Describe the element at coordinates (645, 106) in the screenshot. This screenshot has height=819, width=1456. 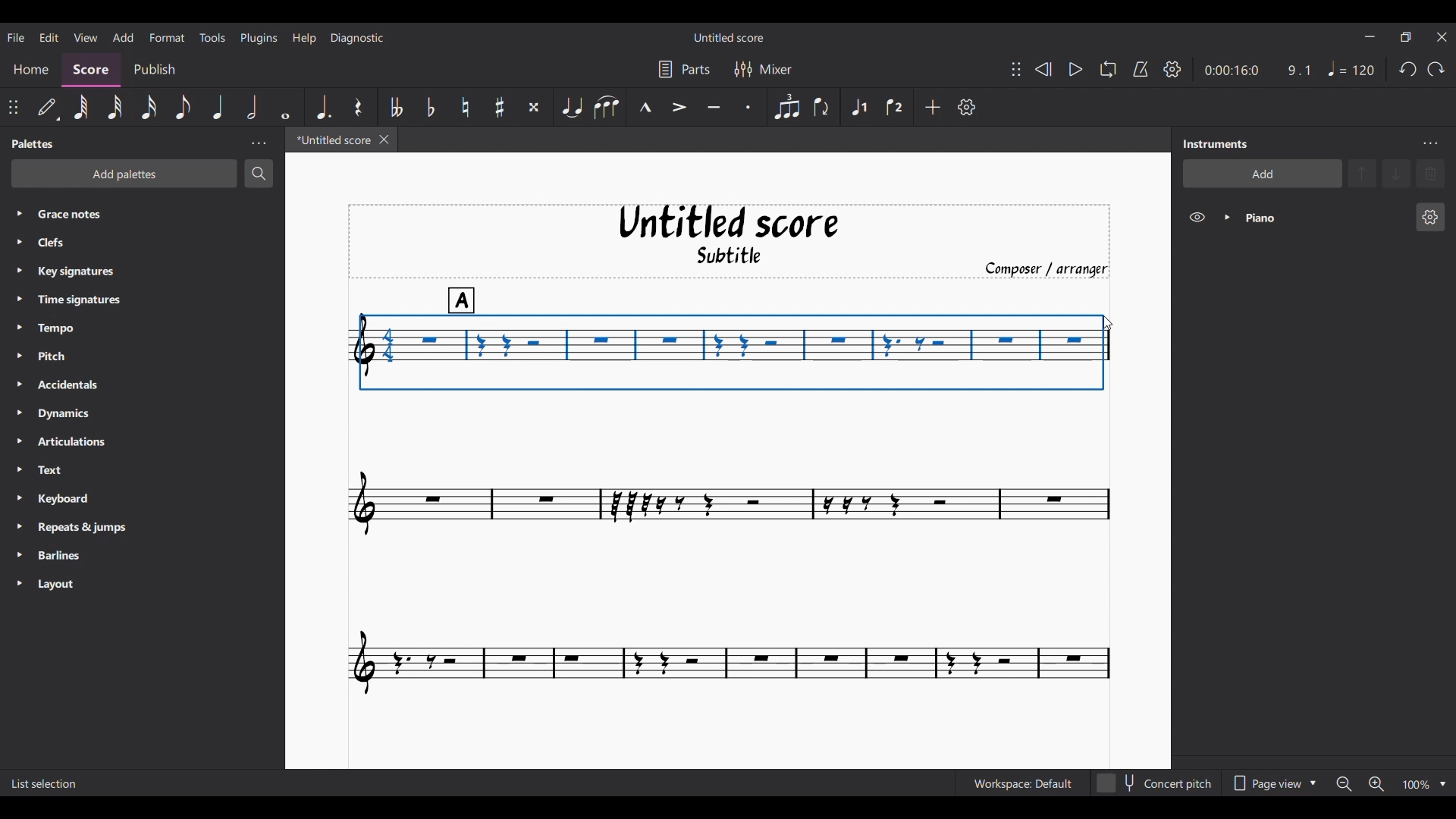
I see `Marcato` at that location.